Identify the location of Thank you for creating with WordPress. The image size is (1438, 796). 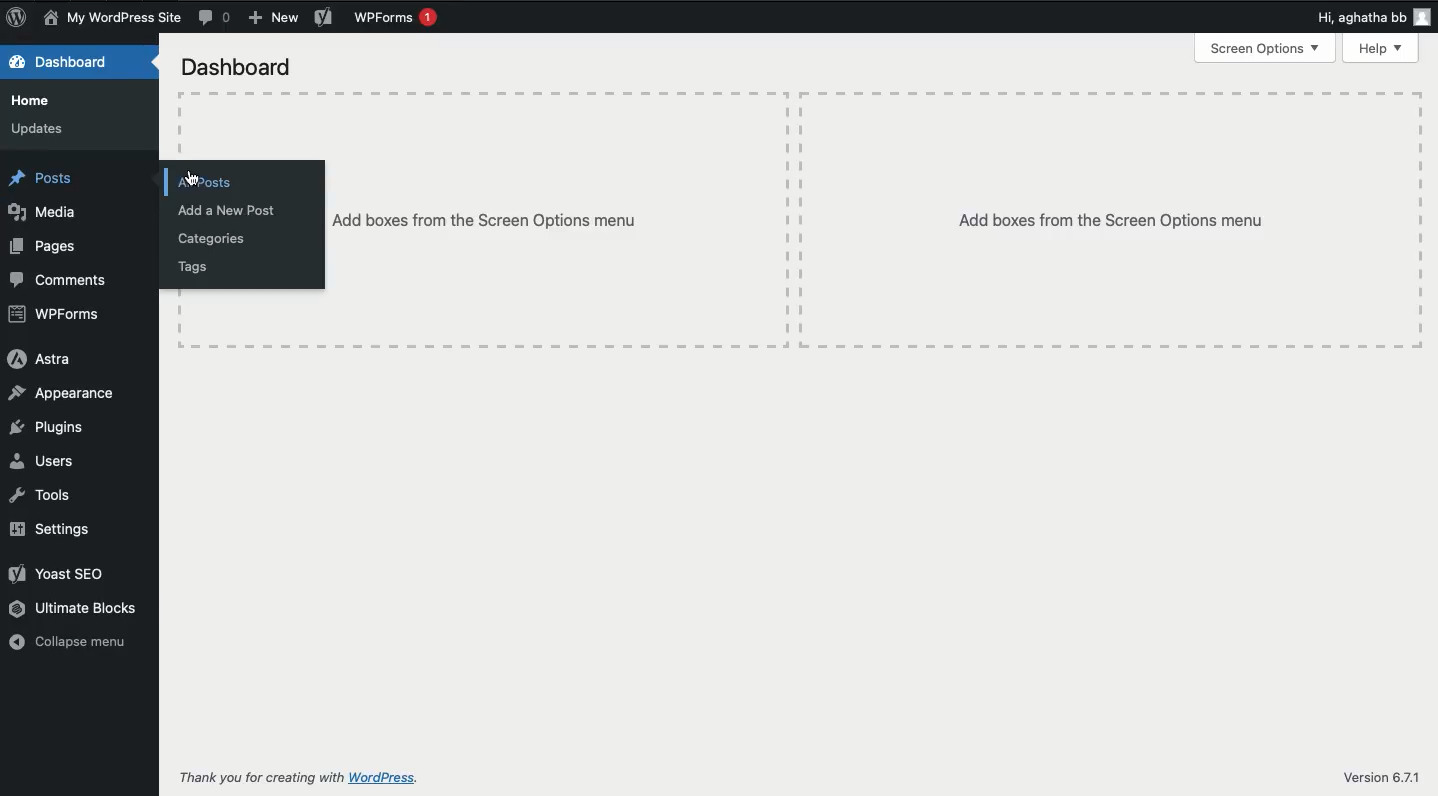
(301, 779).